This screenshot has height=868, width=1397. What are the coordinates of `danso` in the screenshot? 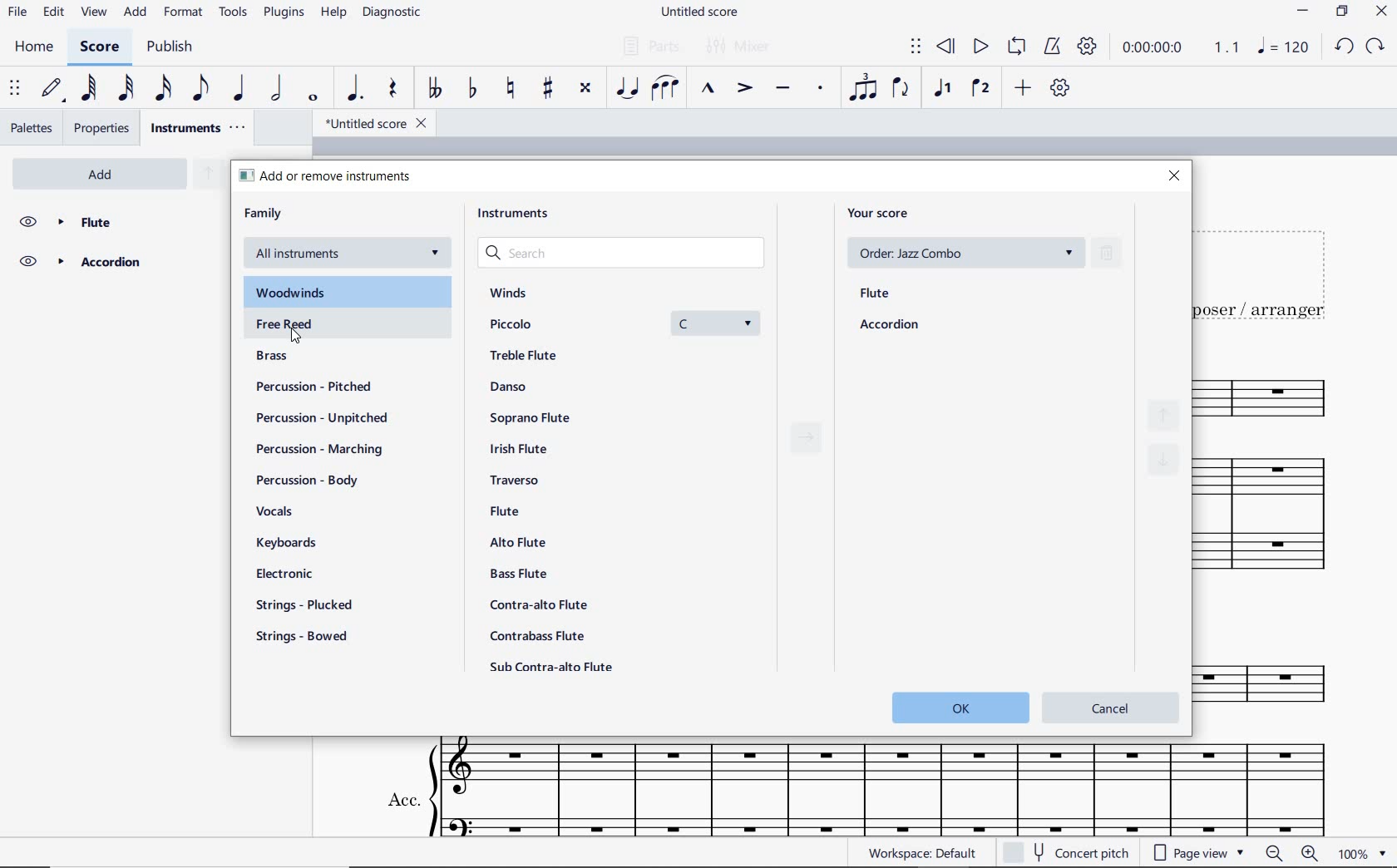 It's located at (508, 386).